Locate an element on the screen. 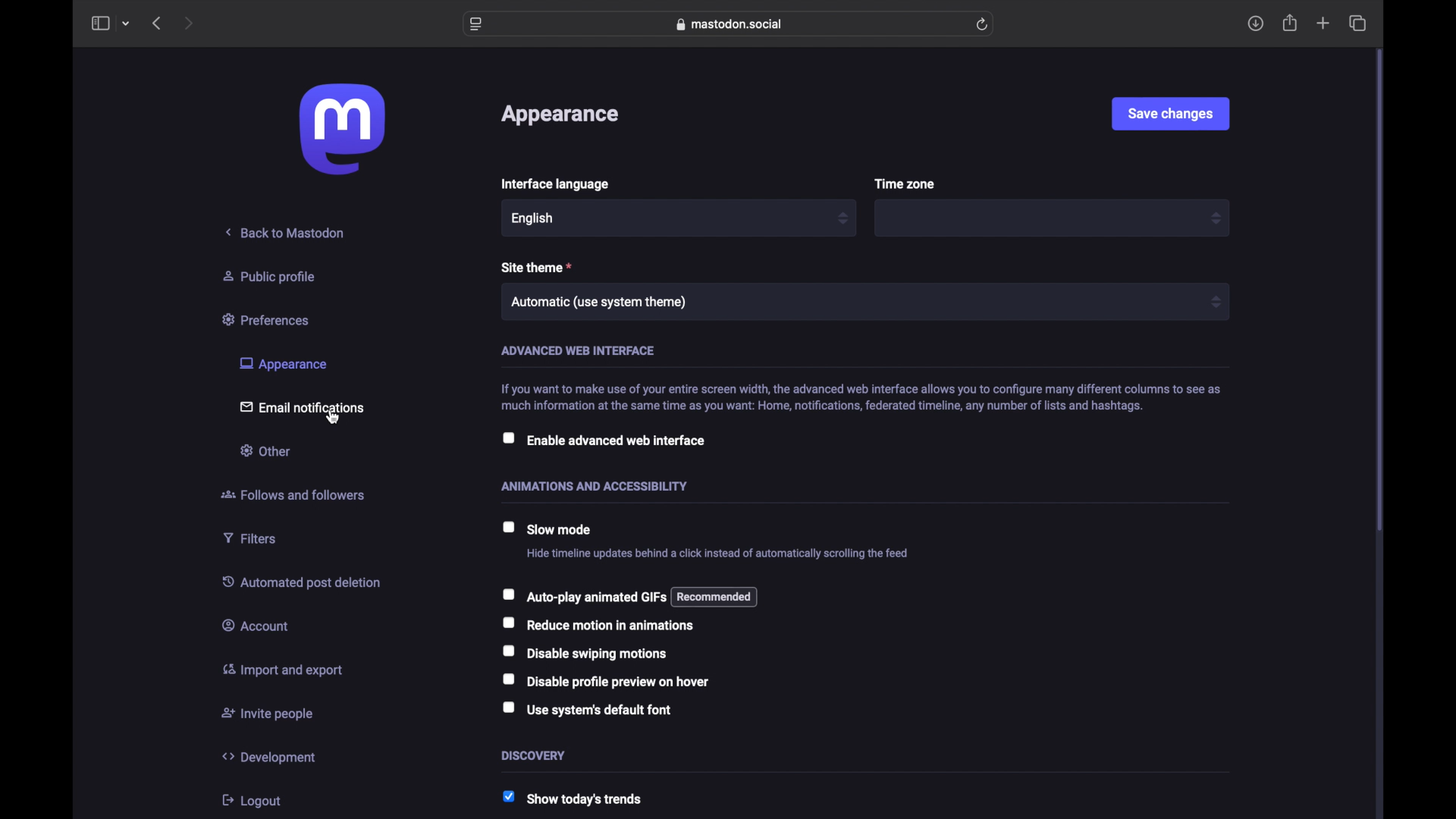  show tab overview is located at coordinates (1357, 23).